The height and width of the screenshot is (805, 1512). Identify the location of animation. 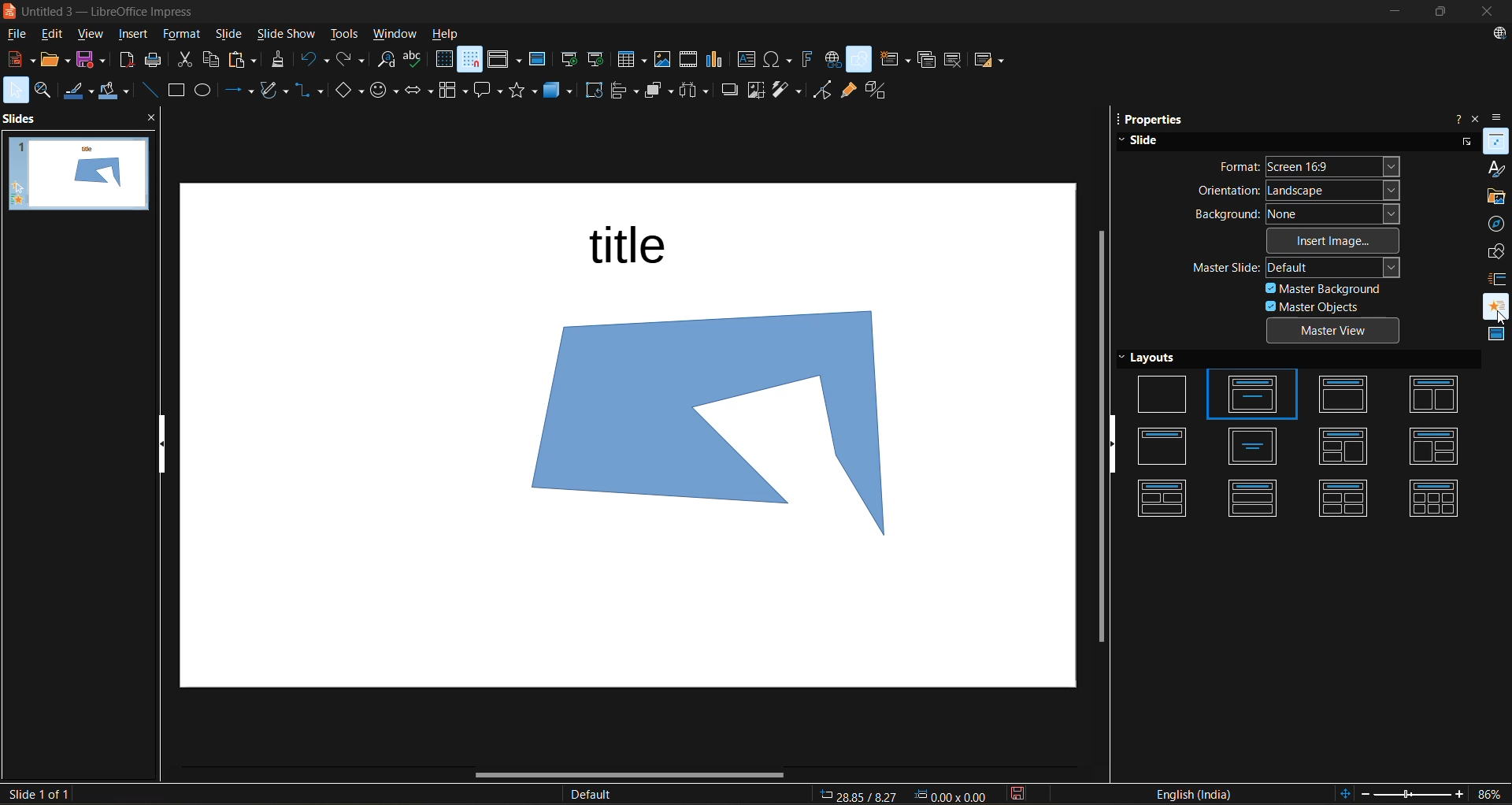
(1492, 301).